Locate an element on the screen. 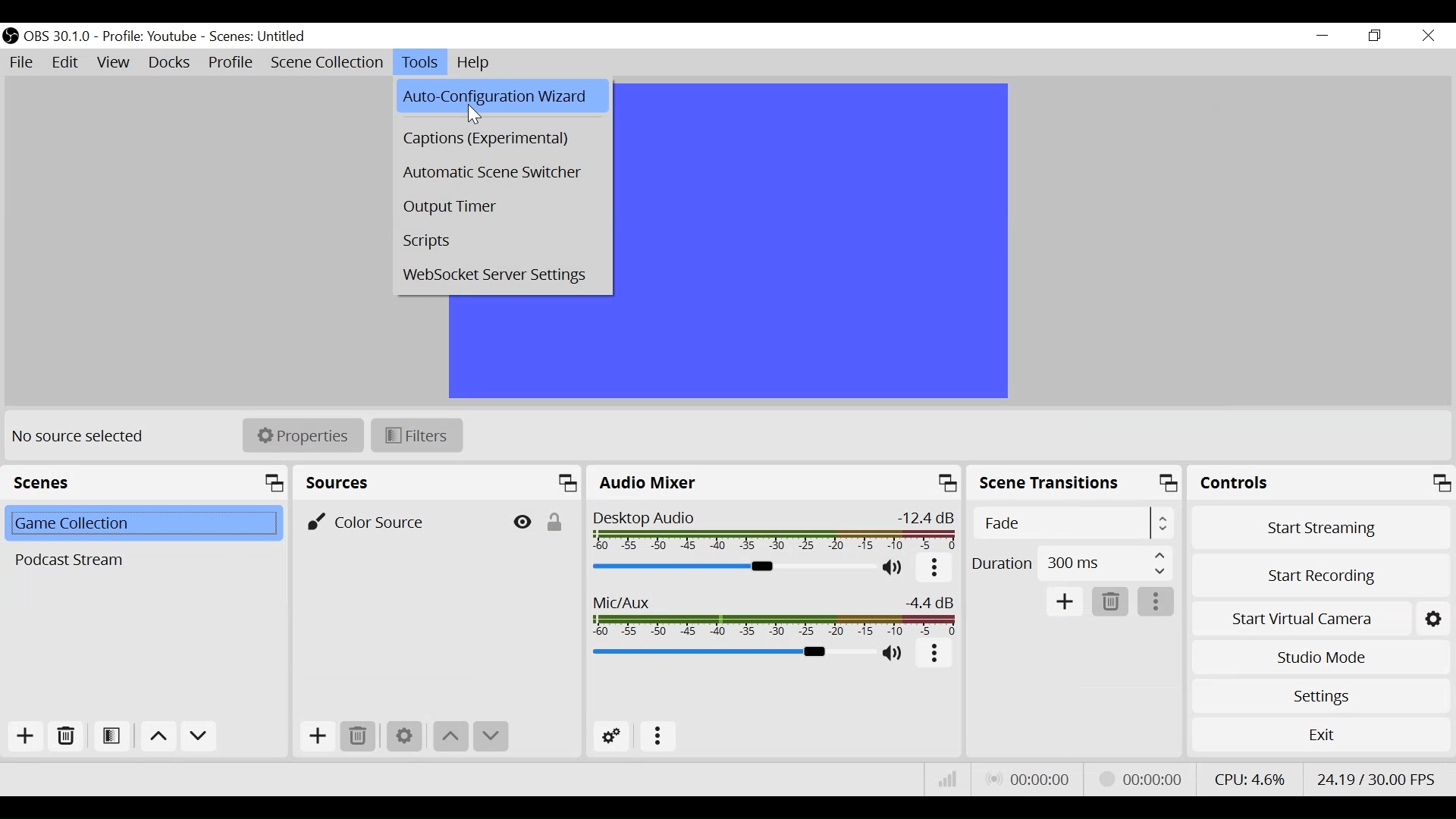 The height and width of the screenshot is (819, 1456). Bitrate is located at coordinates (949, 780).